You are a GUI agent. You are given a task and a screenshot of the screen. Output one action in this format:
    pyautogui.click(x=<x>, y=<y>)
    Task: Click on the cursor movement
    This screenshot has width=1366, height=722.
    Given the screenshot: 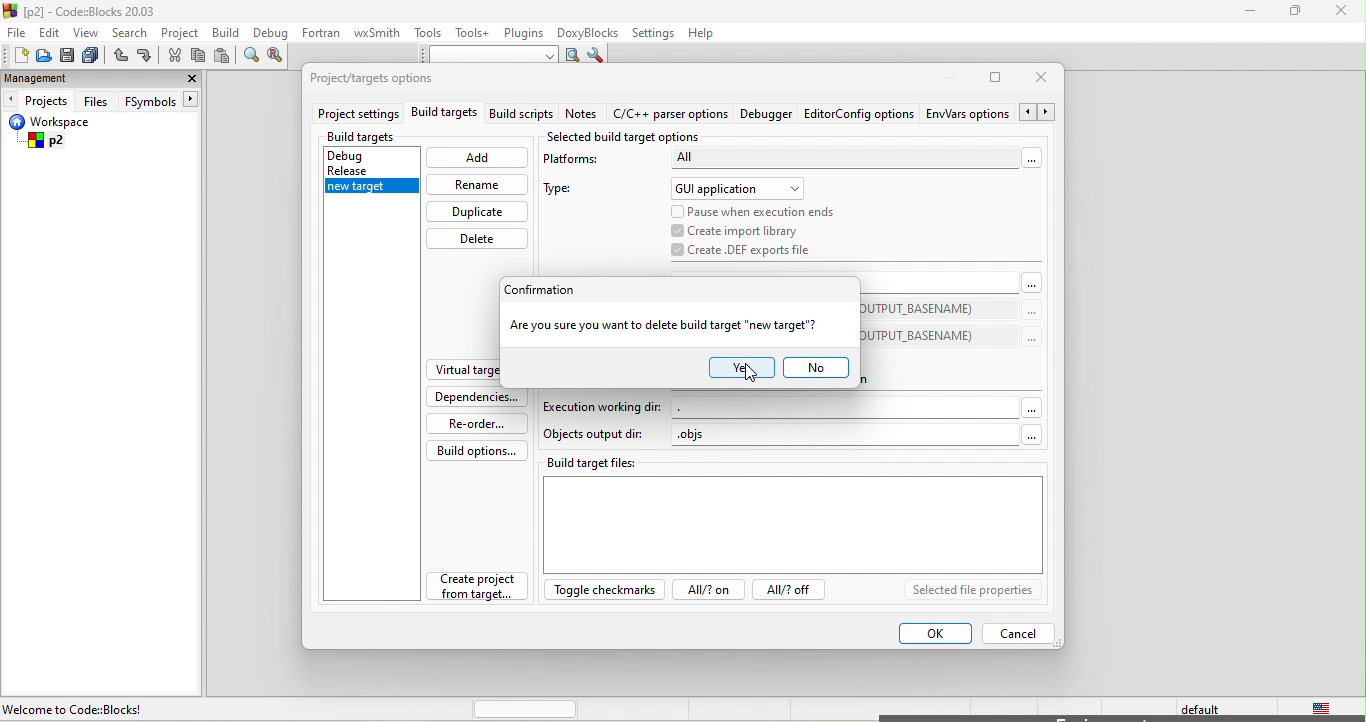 What is the action you would take?
    pyautogui.click(x=752, y=374)
    